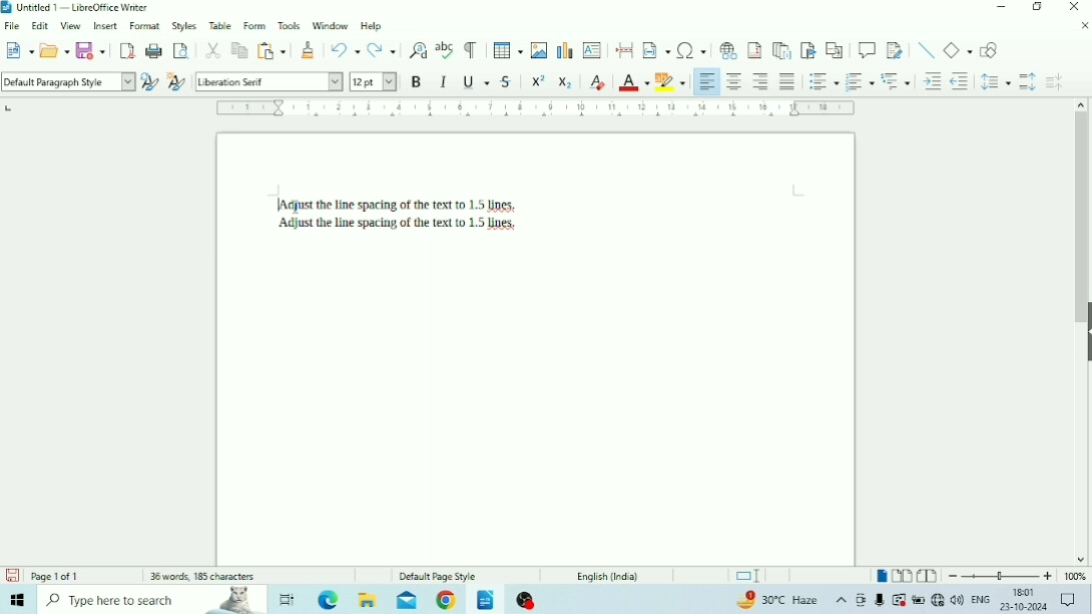 Image resolution: width=1092 pixels, height=614 pixels. What do you see at coordinates (508, 49) in the screenshot?
I see `Insert Table` at bounding box center [508, 49].